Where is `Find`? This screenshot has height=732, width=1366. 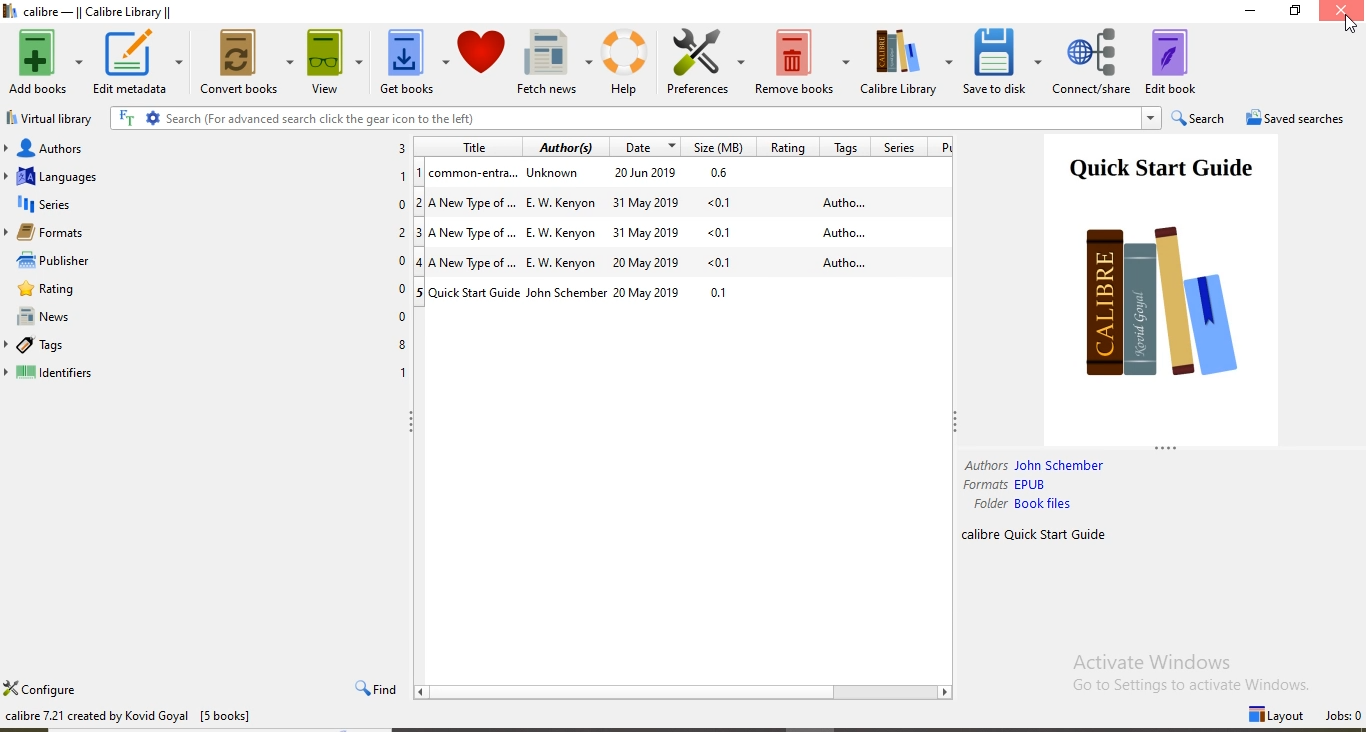 Find is located at coordinates (377, 687).